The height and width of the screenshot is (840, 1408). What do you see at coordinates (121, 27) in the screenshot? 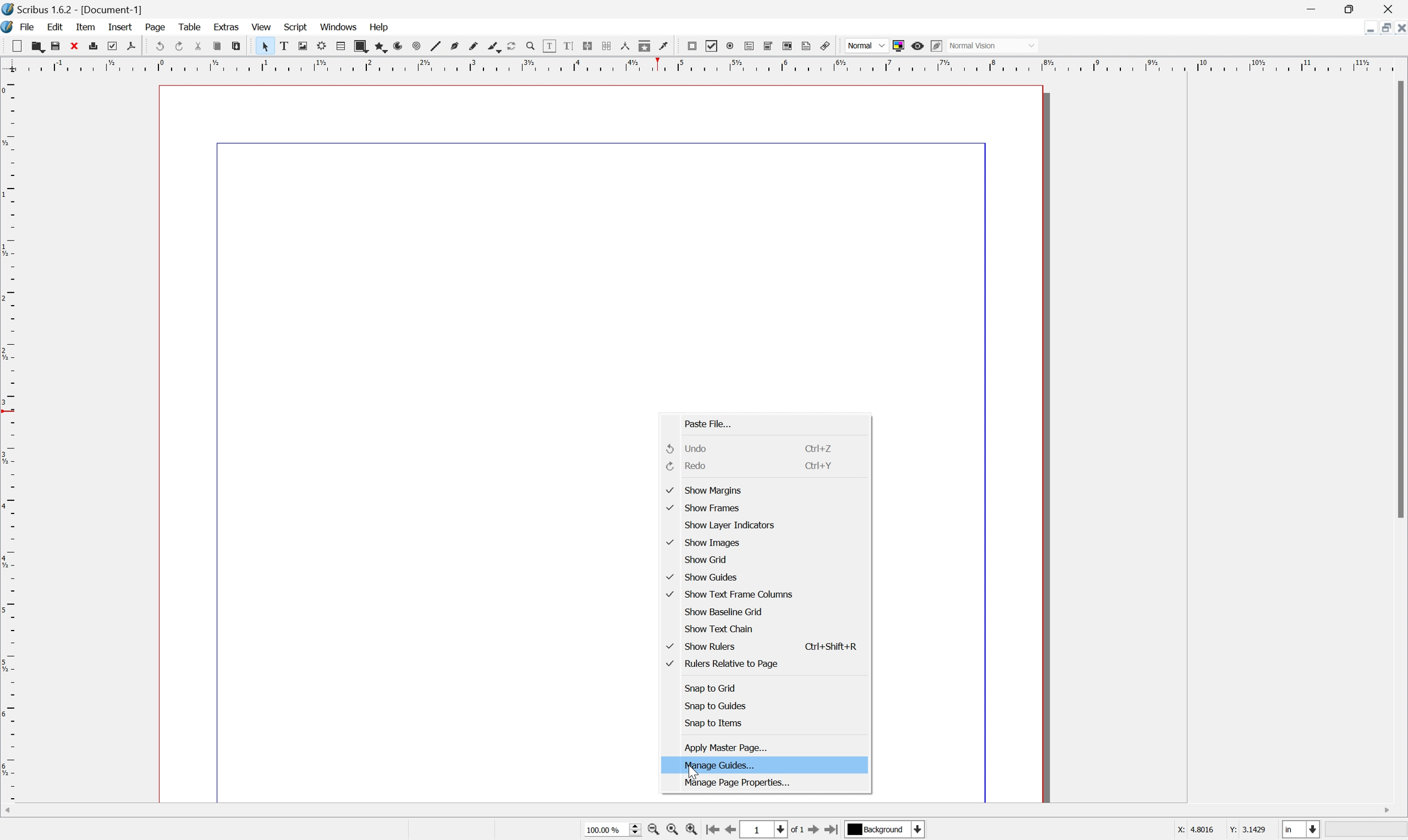
I see `insert` at bounding box center [121, 27].